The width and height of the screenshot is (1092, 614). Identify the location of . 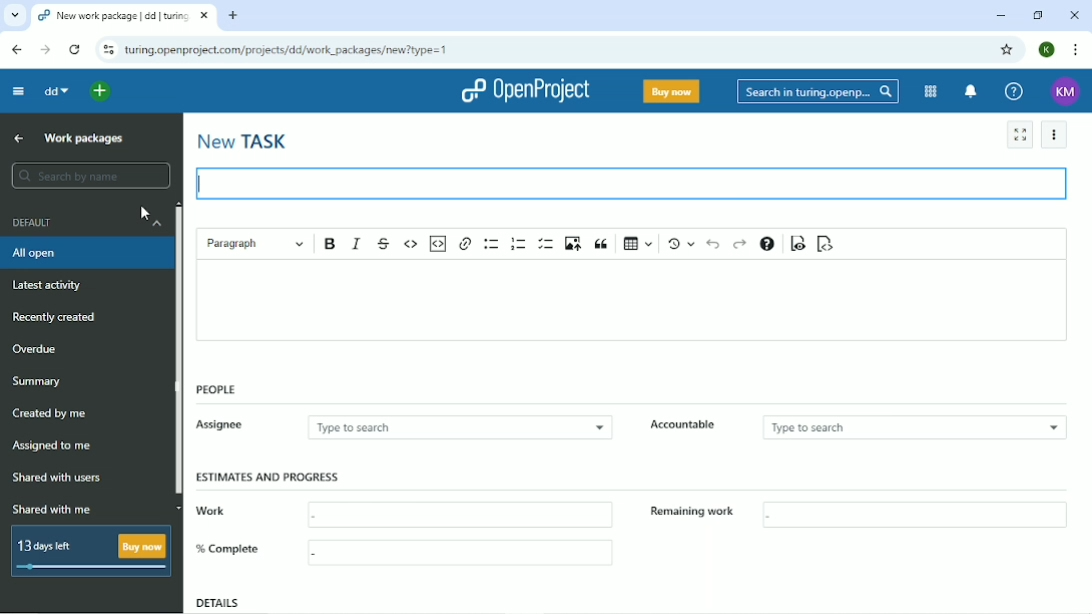
(767, 243).